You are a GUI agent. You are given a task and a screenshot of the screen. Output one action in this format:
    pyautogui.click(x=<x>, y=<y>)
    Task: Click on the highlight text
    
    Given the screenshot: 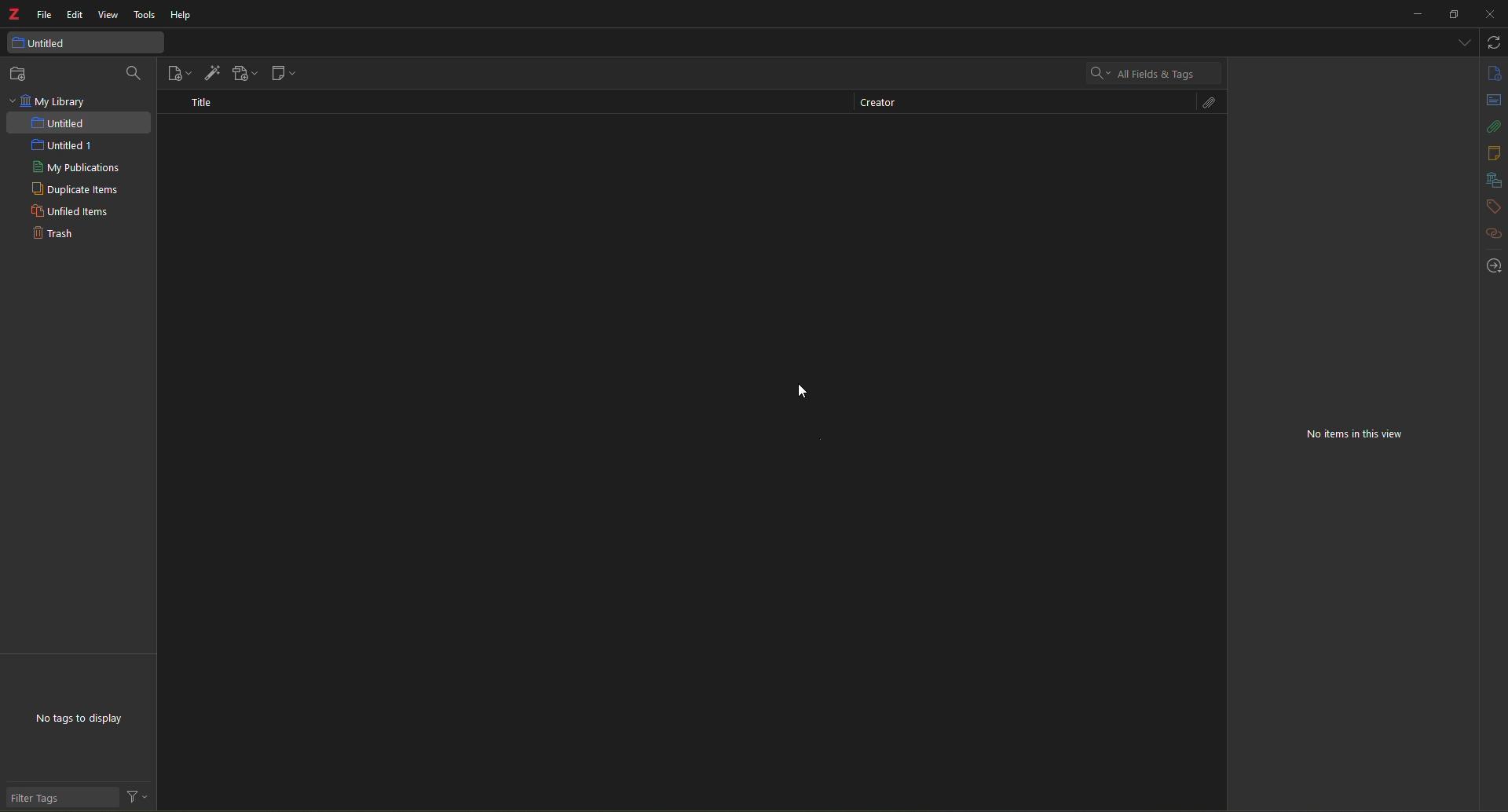 What is the action you would take?
    pyautogui.click(x=1341, y=75)
    